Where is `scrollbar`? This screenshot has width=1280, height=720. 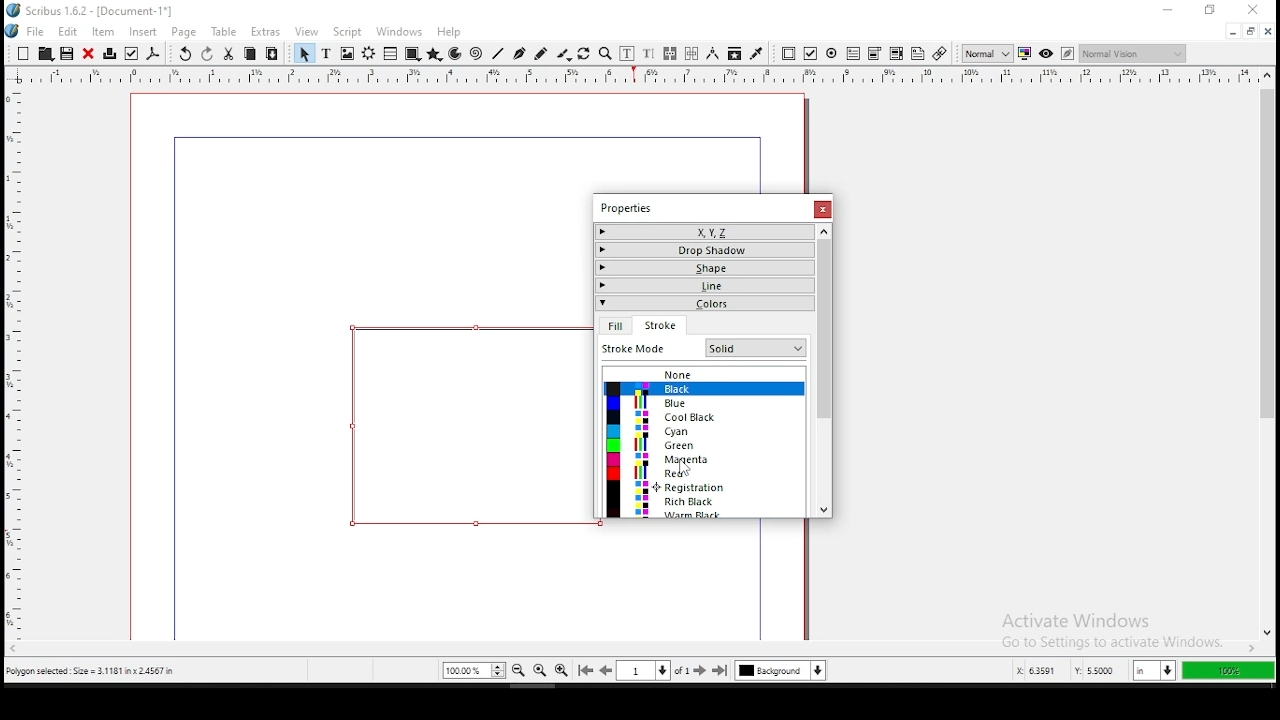 scrollbar is located at coordinates (811, 583).